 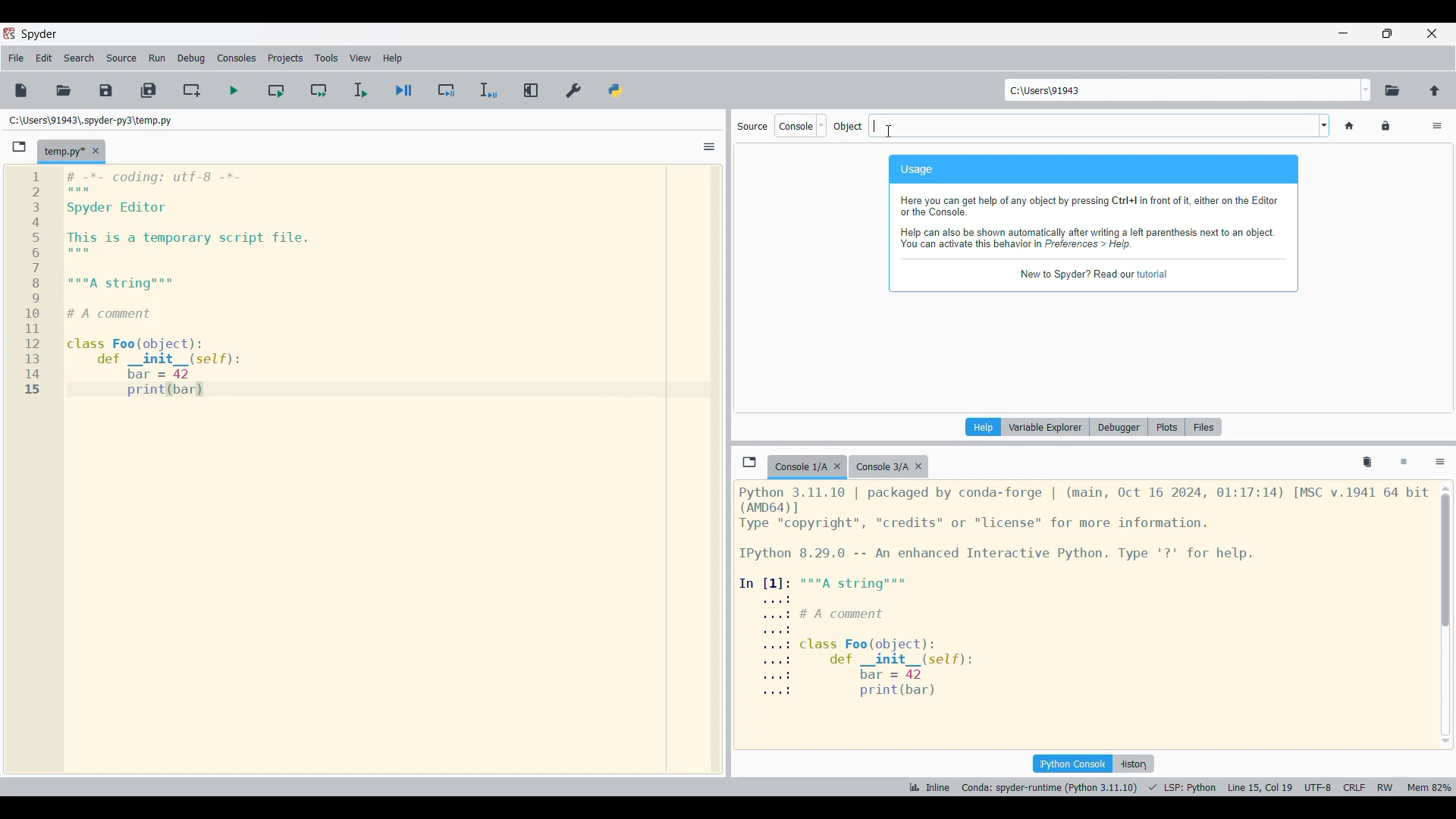 What do you see at coordinates (984, 427) in the screenshot?
I see `Current pane highlighted` at bounding box center [984, 427].